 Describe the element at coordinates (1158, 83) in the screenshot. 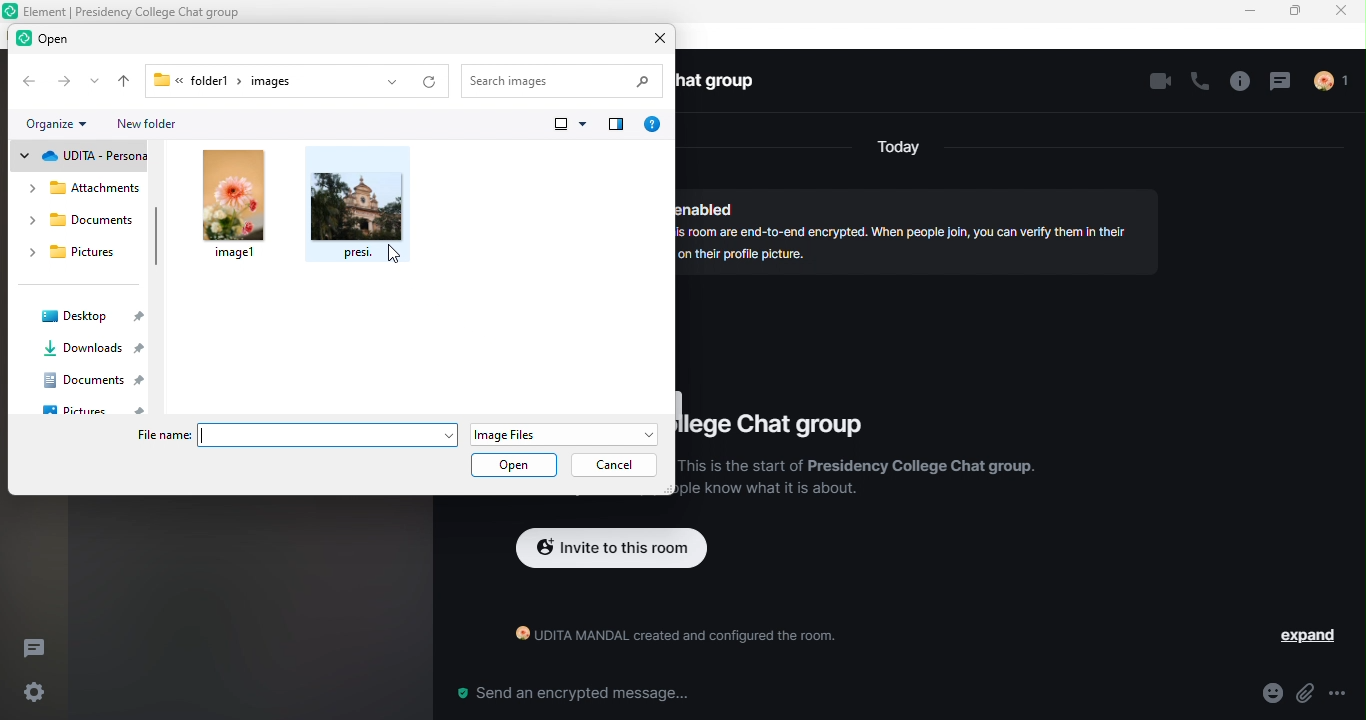

I see `video call` at that location.